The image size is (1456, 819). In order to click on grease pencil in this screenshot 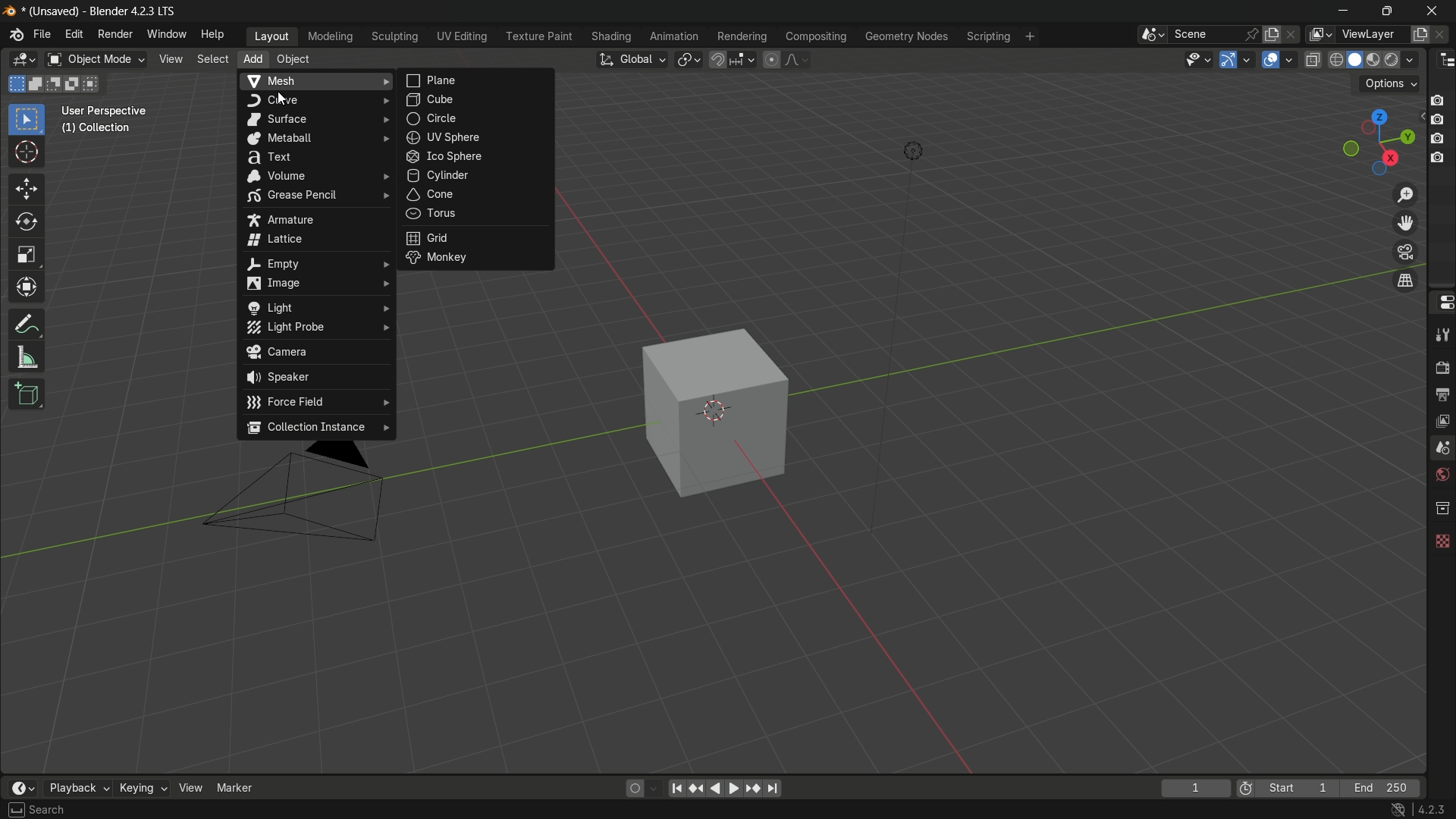, I will do `click(315, 196)`.